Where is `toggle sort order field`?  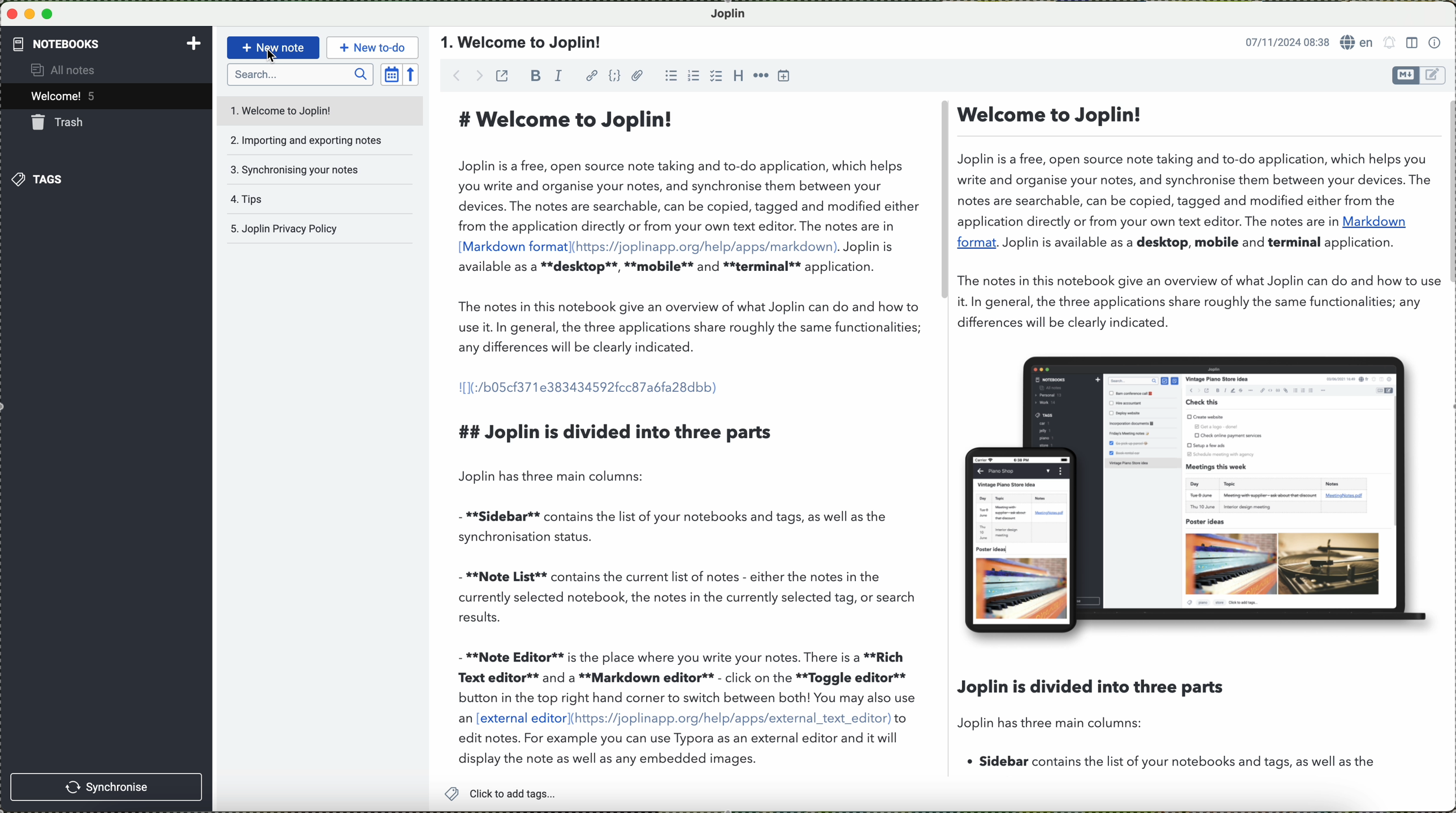 toggle sort order field is located at coordinates (391, 73).